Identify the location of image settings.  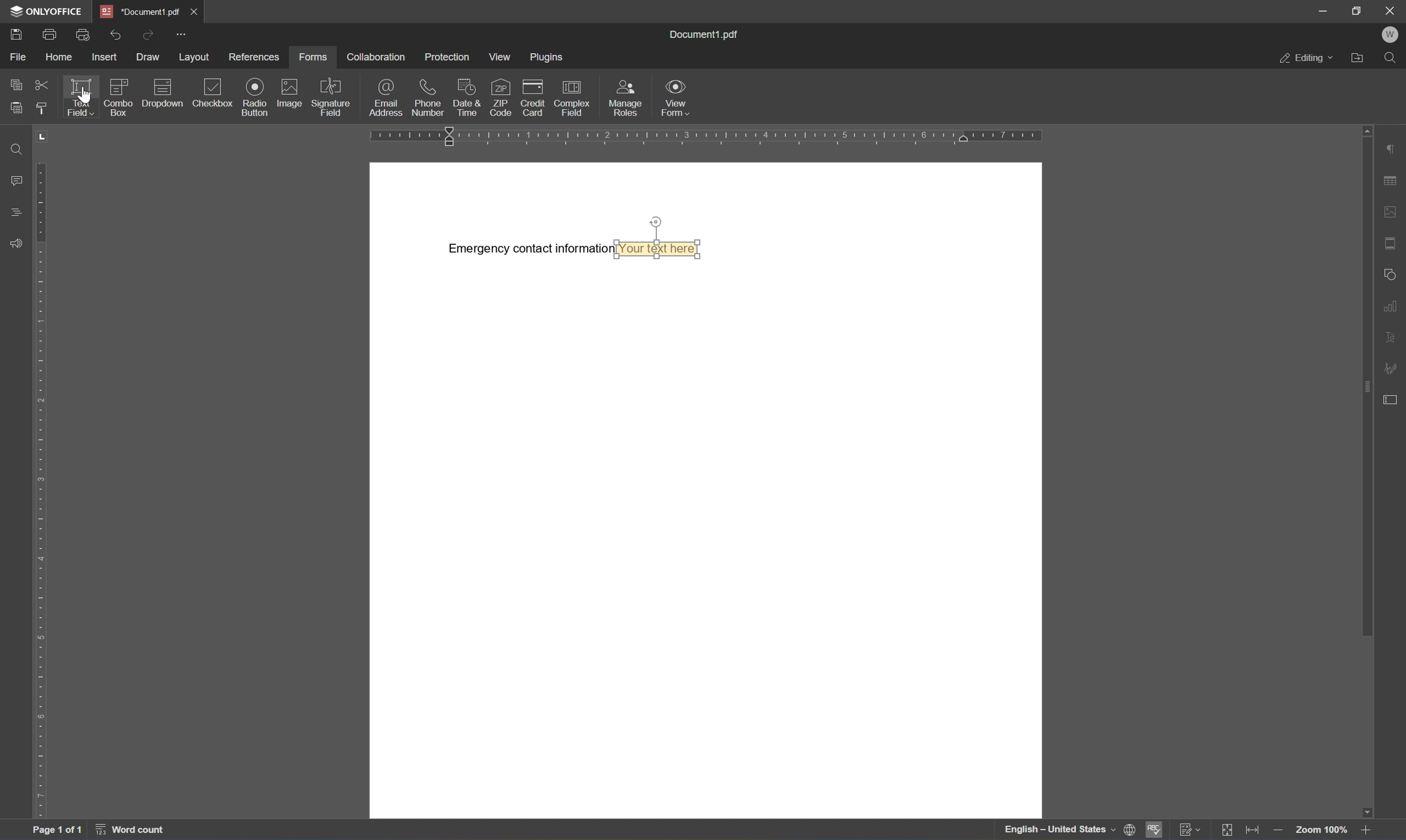
(1394, 207).